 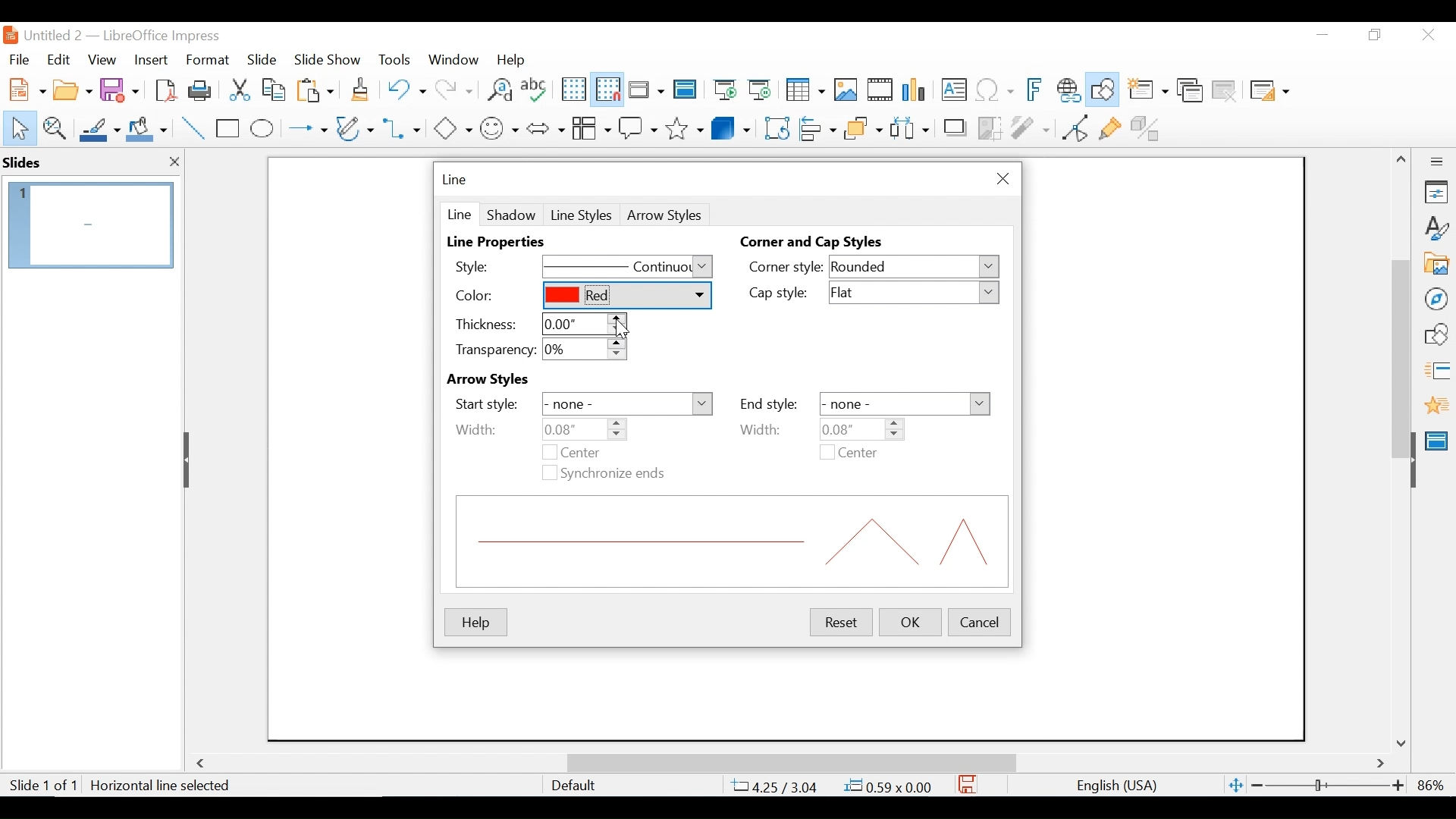 What do you see at coordinates (1436, 192) in the screenshot?
I see `Properties` at bounding box center [1436, 192].